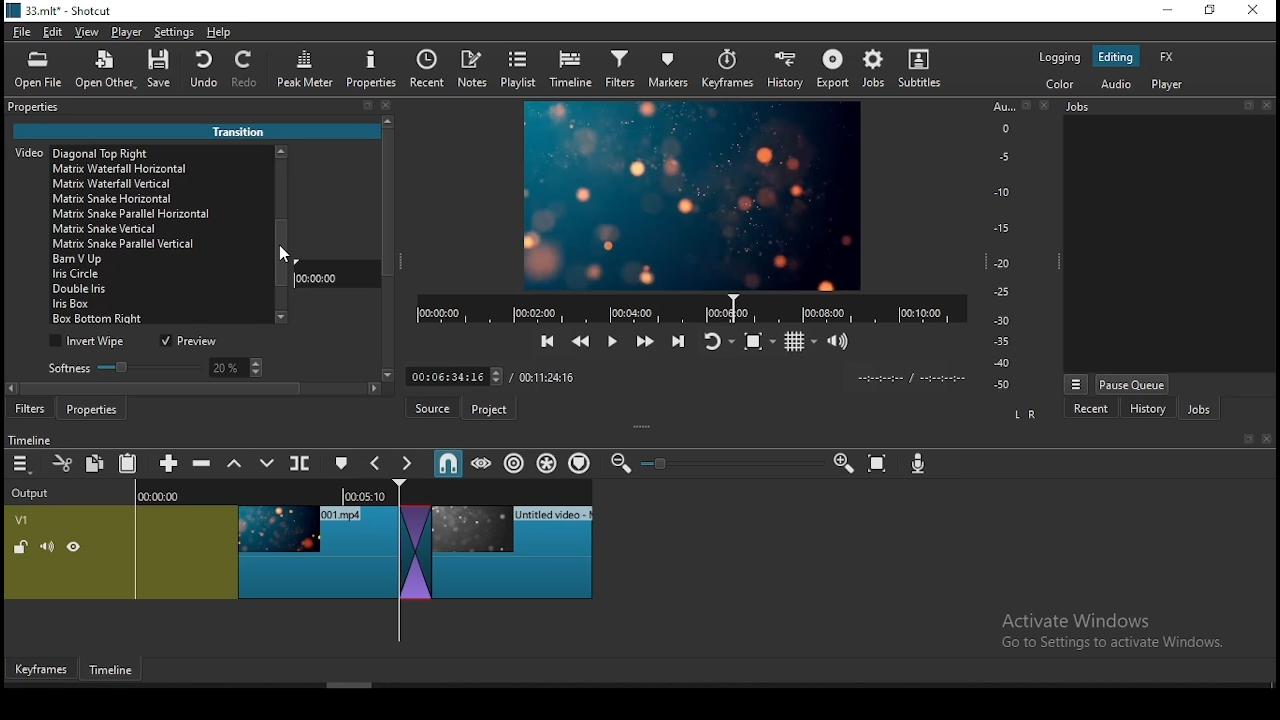 This screenshot has height=720, width=1280. Describe the element at coordinates (159, 214) in the screenshot. I see `transition option` at that location.